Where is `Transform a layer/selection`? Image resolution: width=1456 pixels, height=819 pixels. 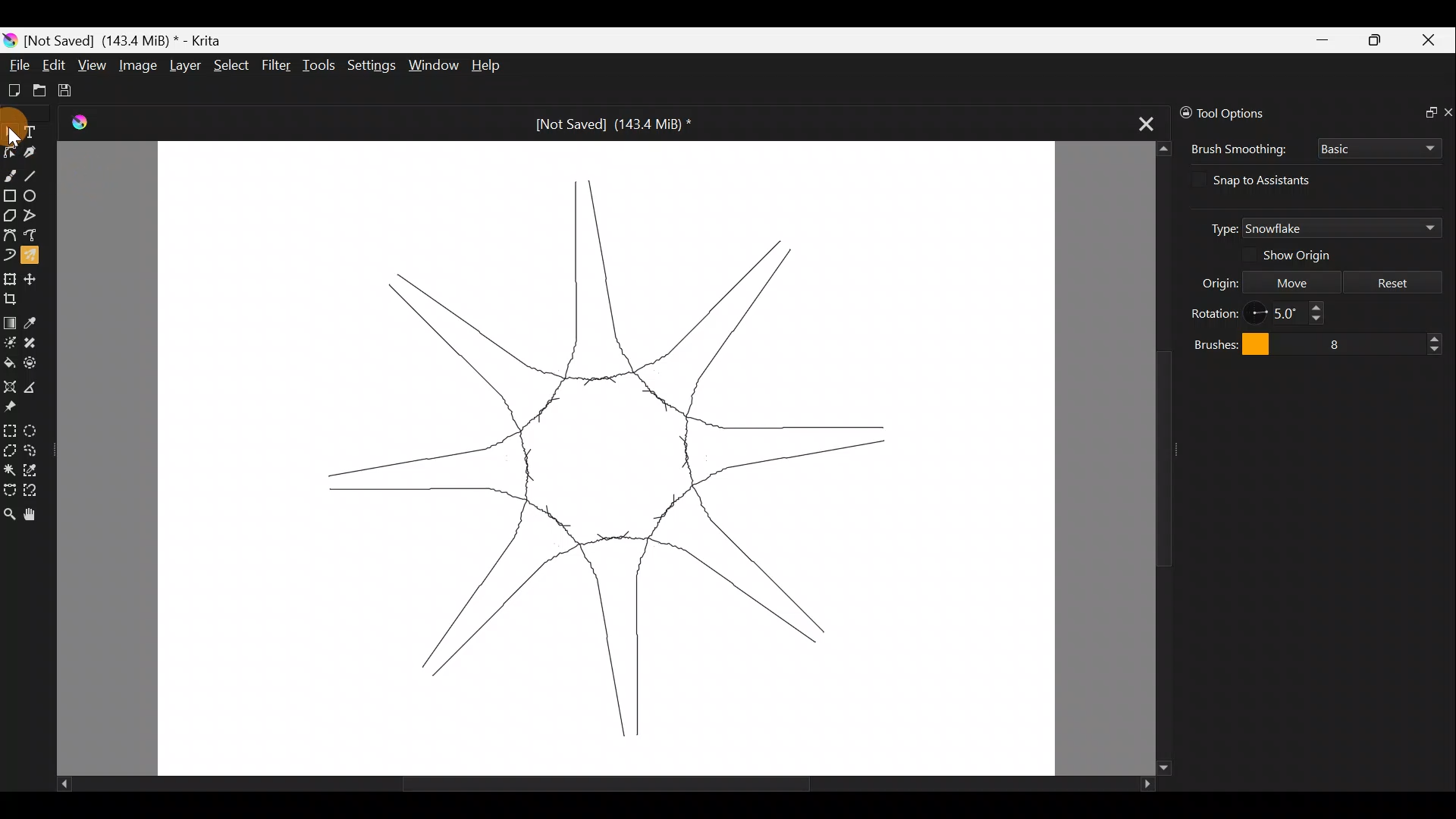
Transform a layer/selection is located at coordinates (10, 278).